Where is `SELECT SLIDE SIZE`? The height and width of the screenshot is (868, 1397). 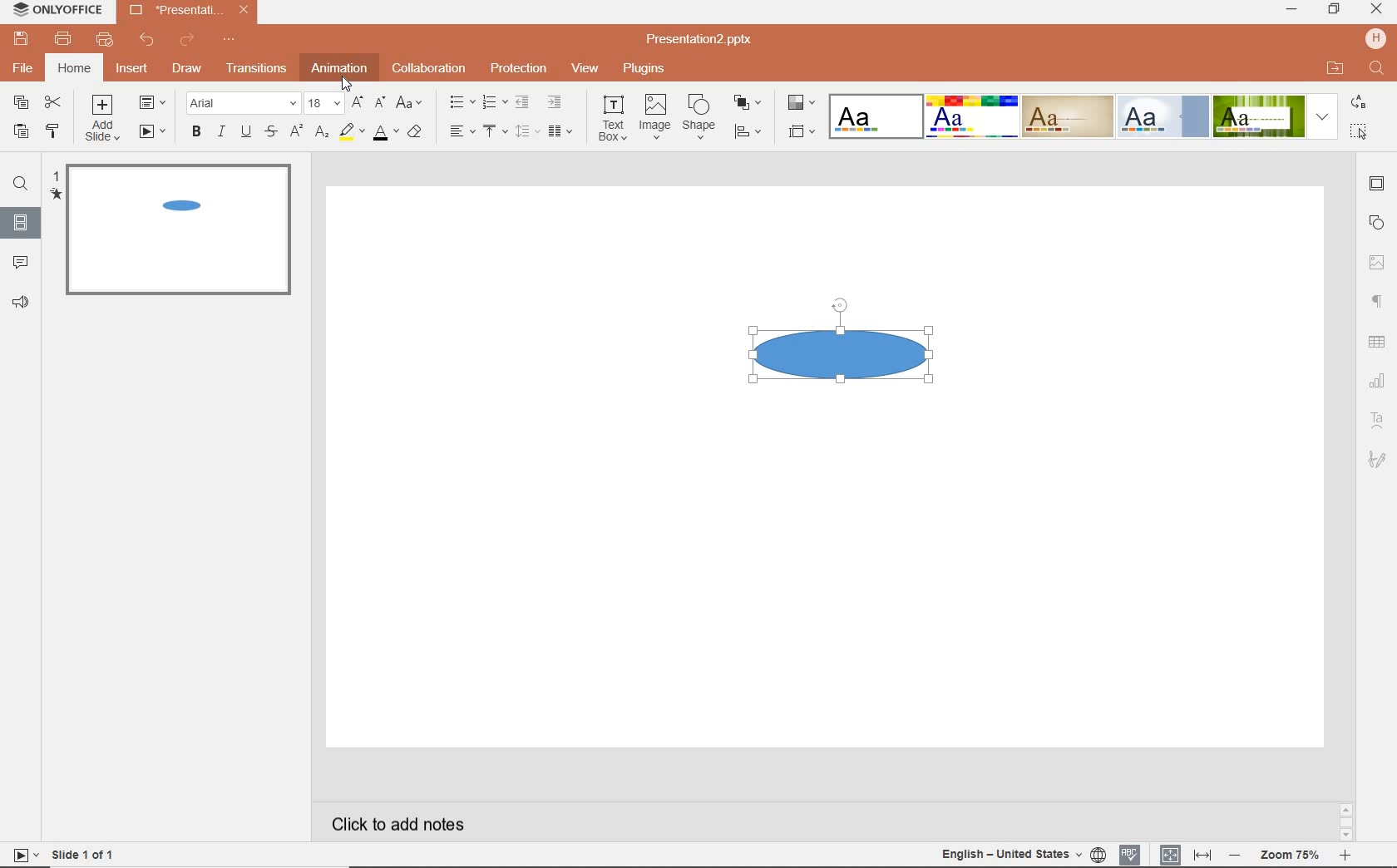
SELECT SLIDE SIZE is located at coordinates (802, 134).